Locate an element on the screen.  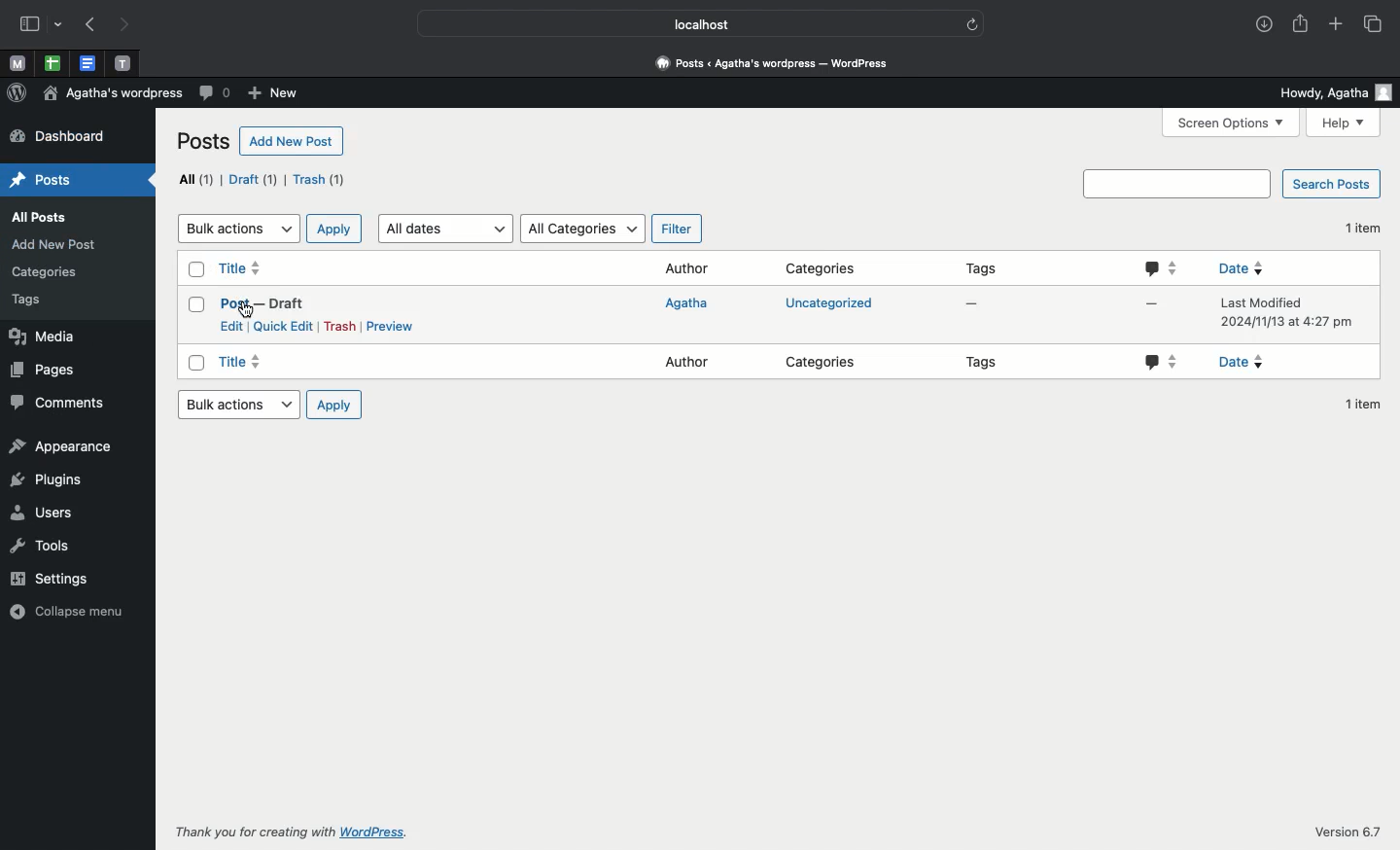
Title is located at coordinates (240, 269).